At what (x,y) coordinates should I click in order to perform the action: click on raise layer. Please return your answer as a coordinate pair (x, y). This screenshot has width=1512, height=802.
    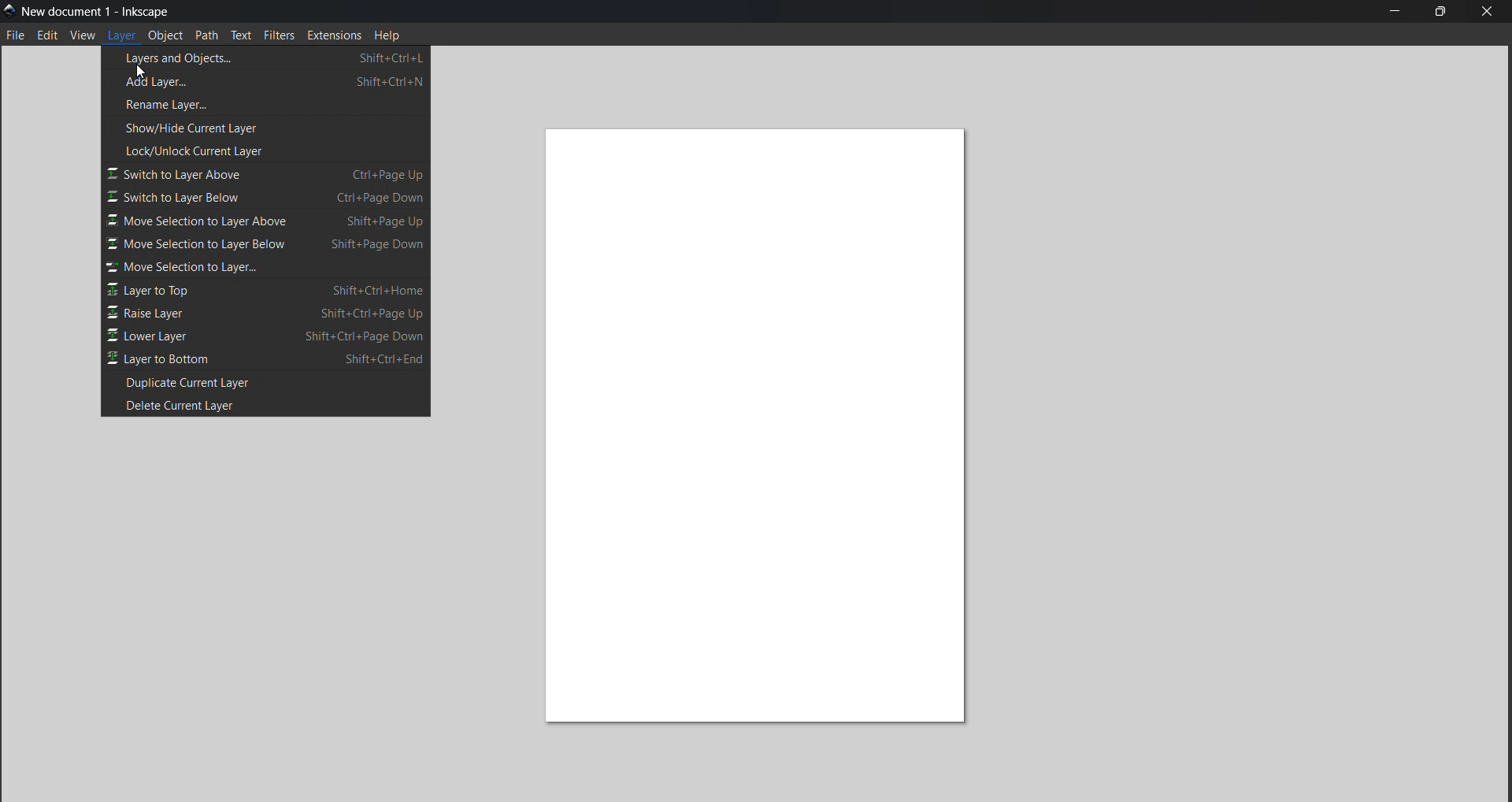
    Looking at the image, I should click on (269, 314).